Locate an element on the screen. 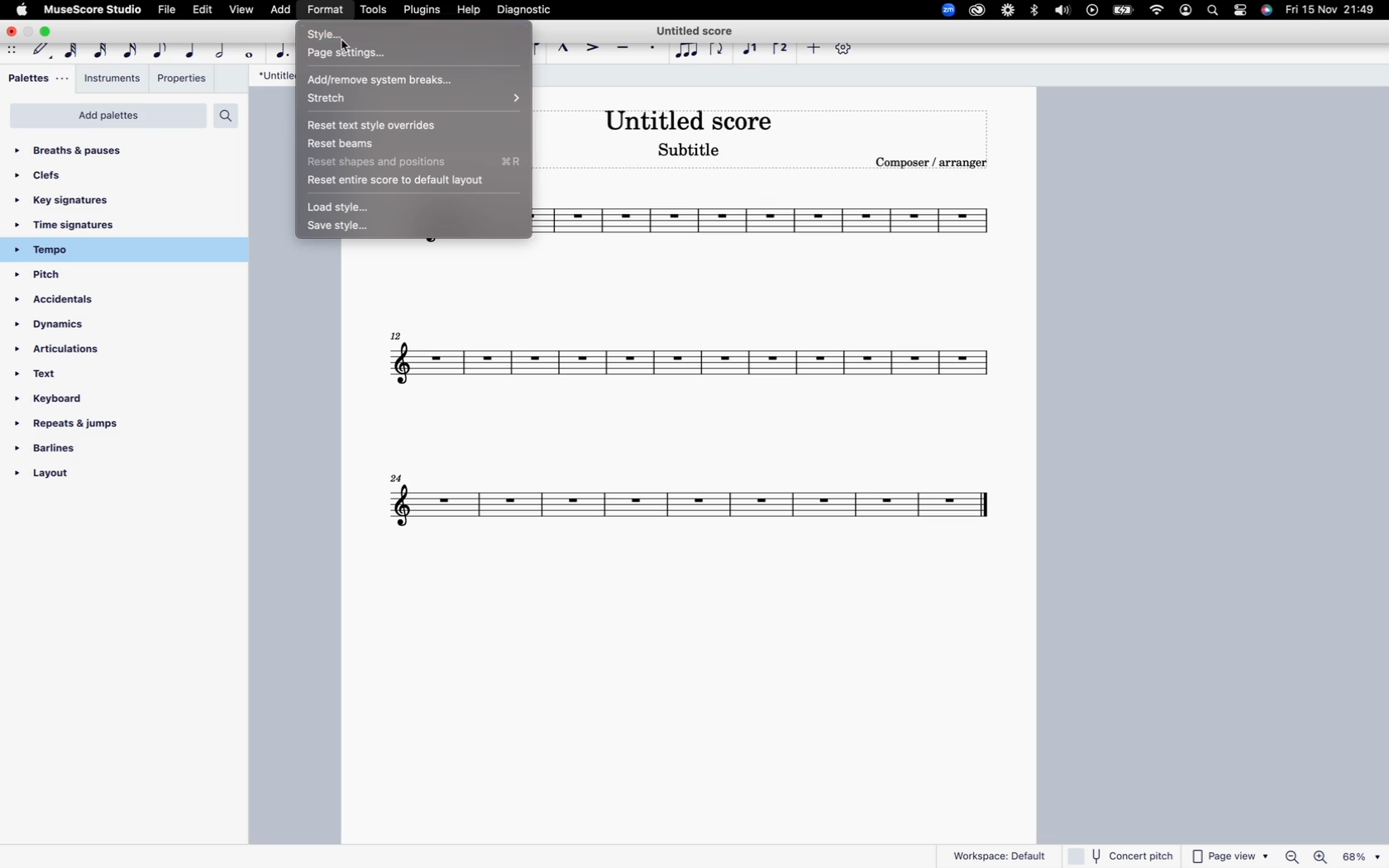 Image resolution: width=1389 pixels, height=868 pixels. add/remove system breaks is located at coordinates (406, 77).